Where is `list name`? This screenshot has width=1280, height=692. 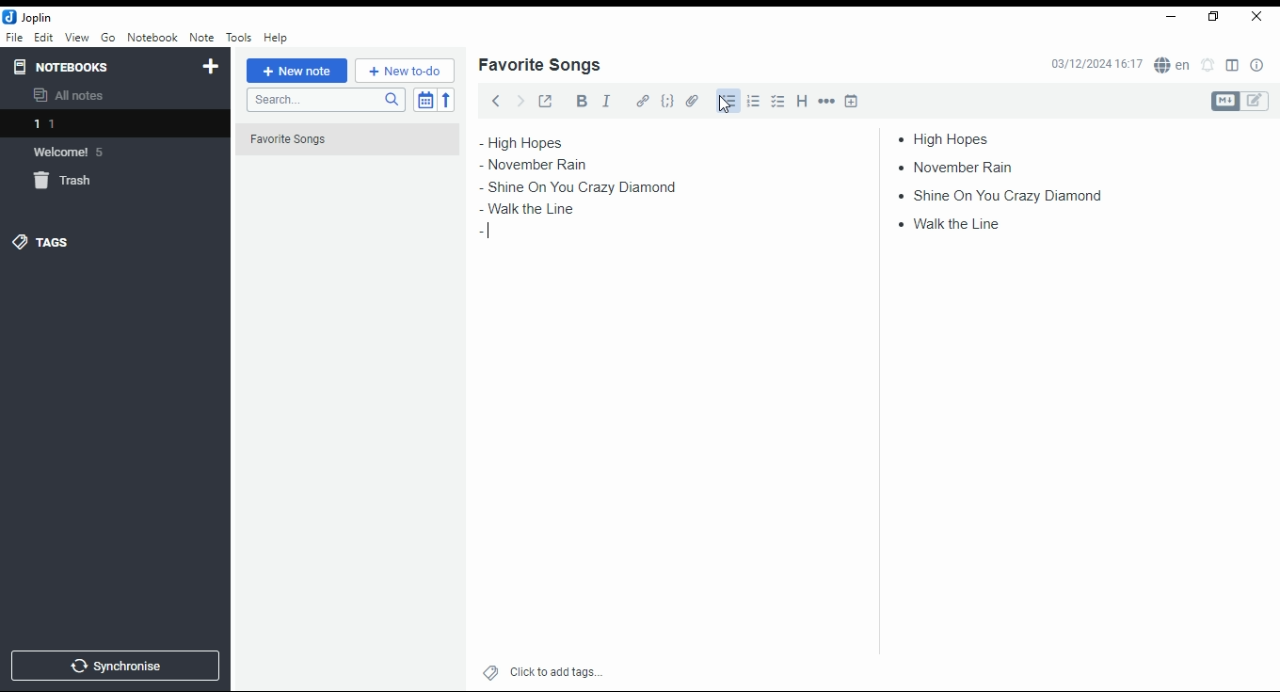 list name is located at coordinates (539, 66).